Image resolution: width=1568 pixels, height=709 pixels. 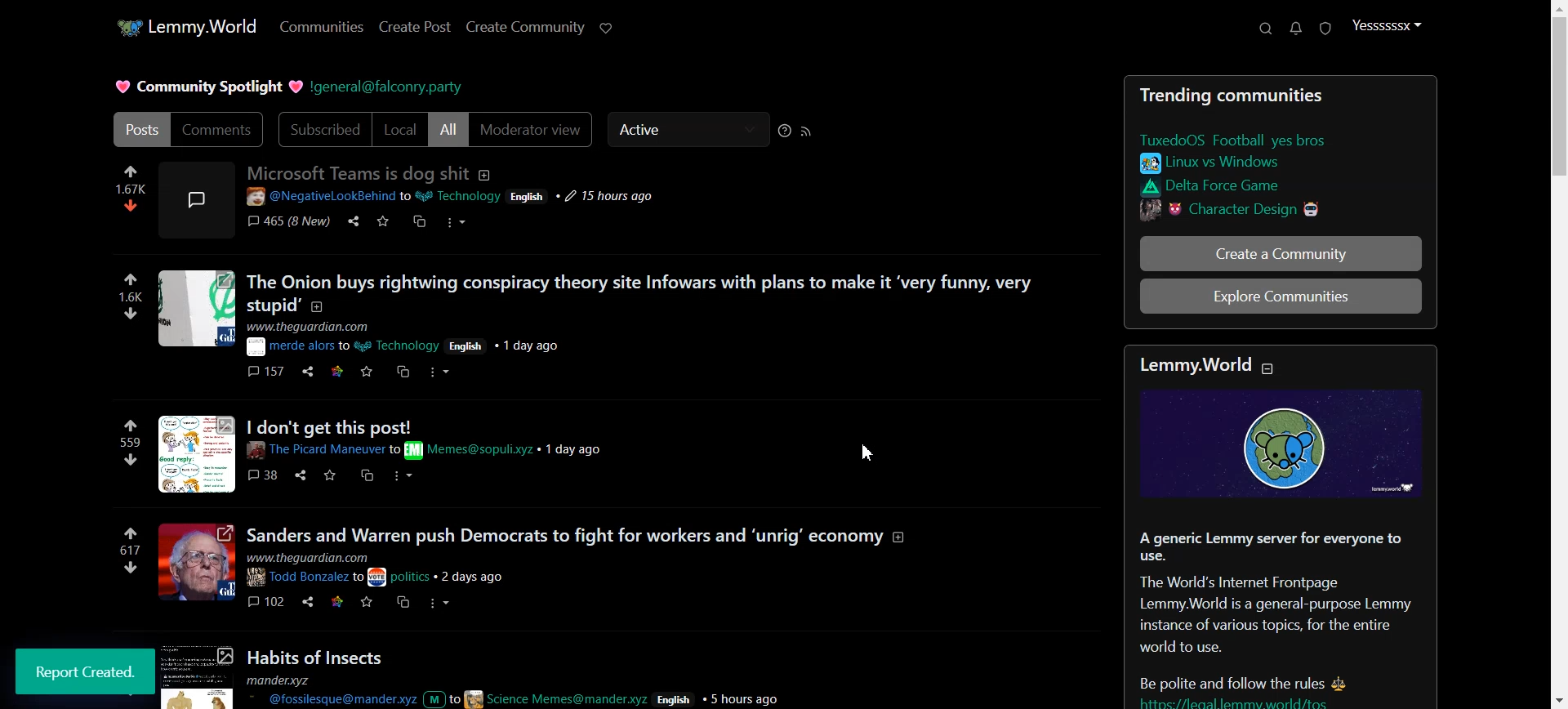 What do you see at coordinates (341, 372) in the screenshot?
I see `link` at bounding box center [341, 372].